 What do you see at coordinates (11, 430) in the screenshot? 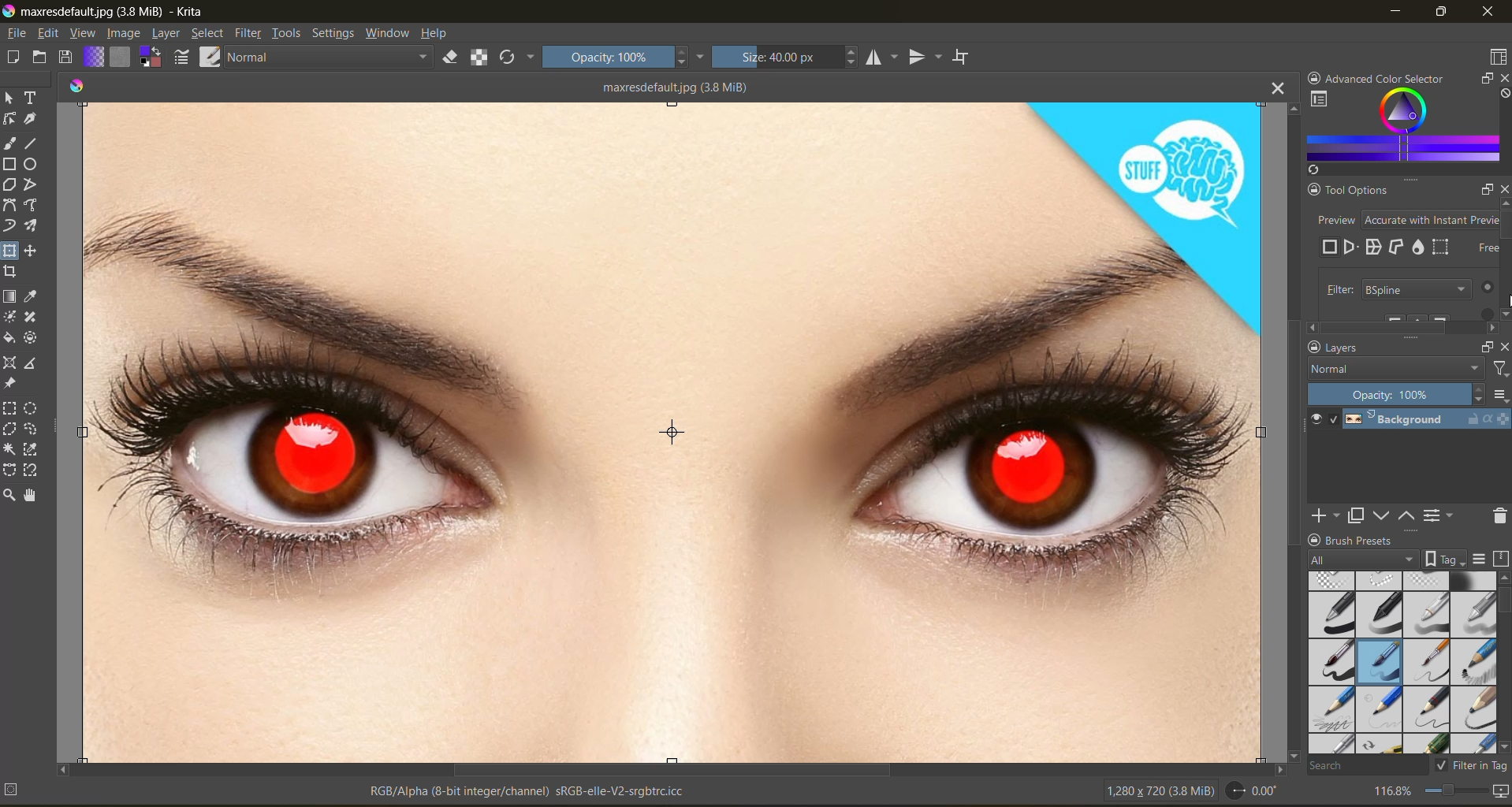
I see `tool` at bounding box center [11, 430].